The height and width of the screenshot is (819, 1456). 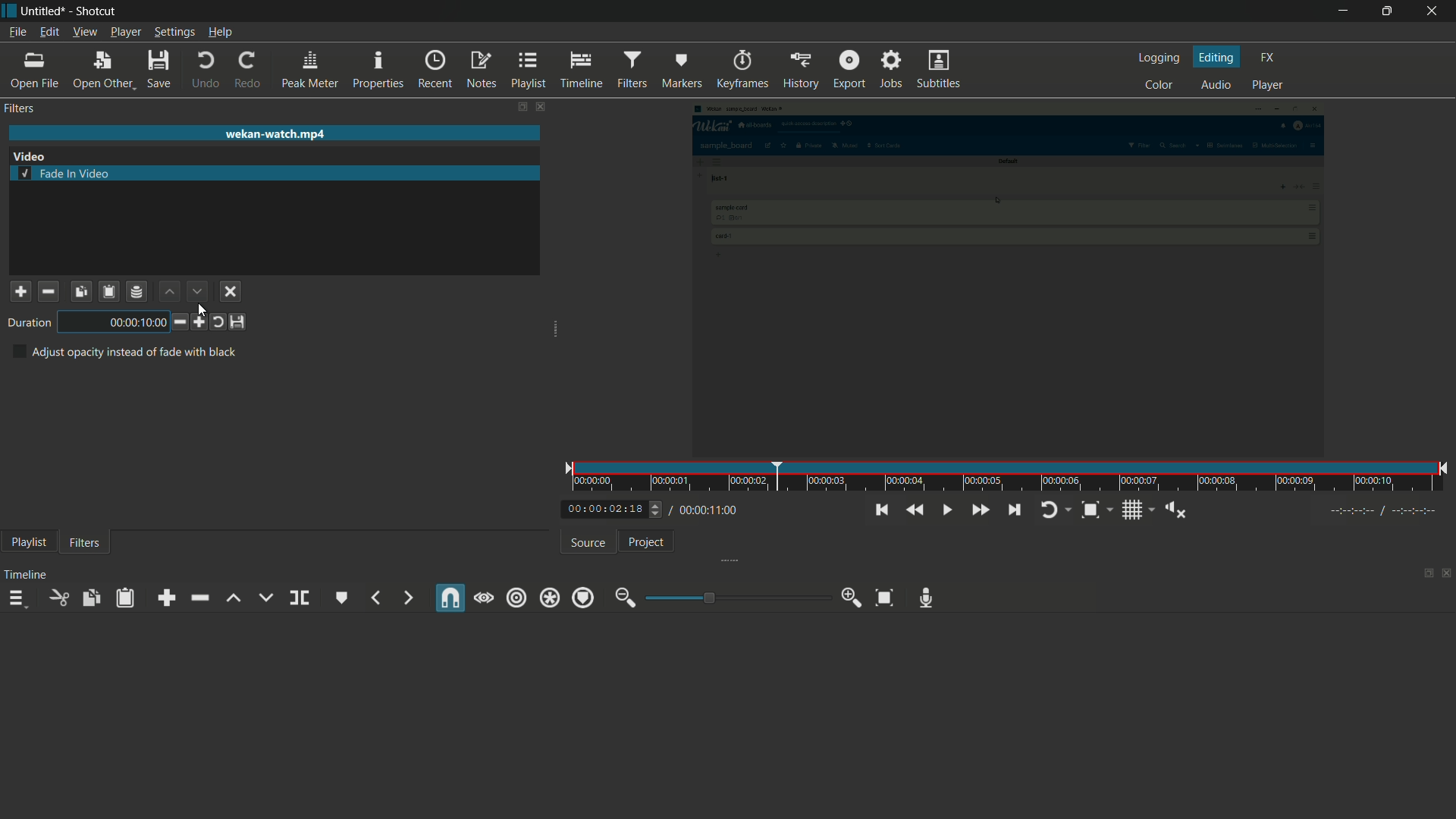 What do you see at coordinates (138, 291) in the screenshot?
I see `save filter set` at bounding box center [138, 291].